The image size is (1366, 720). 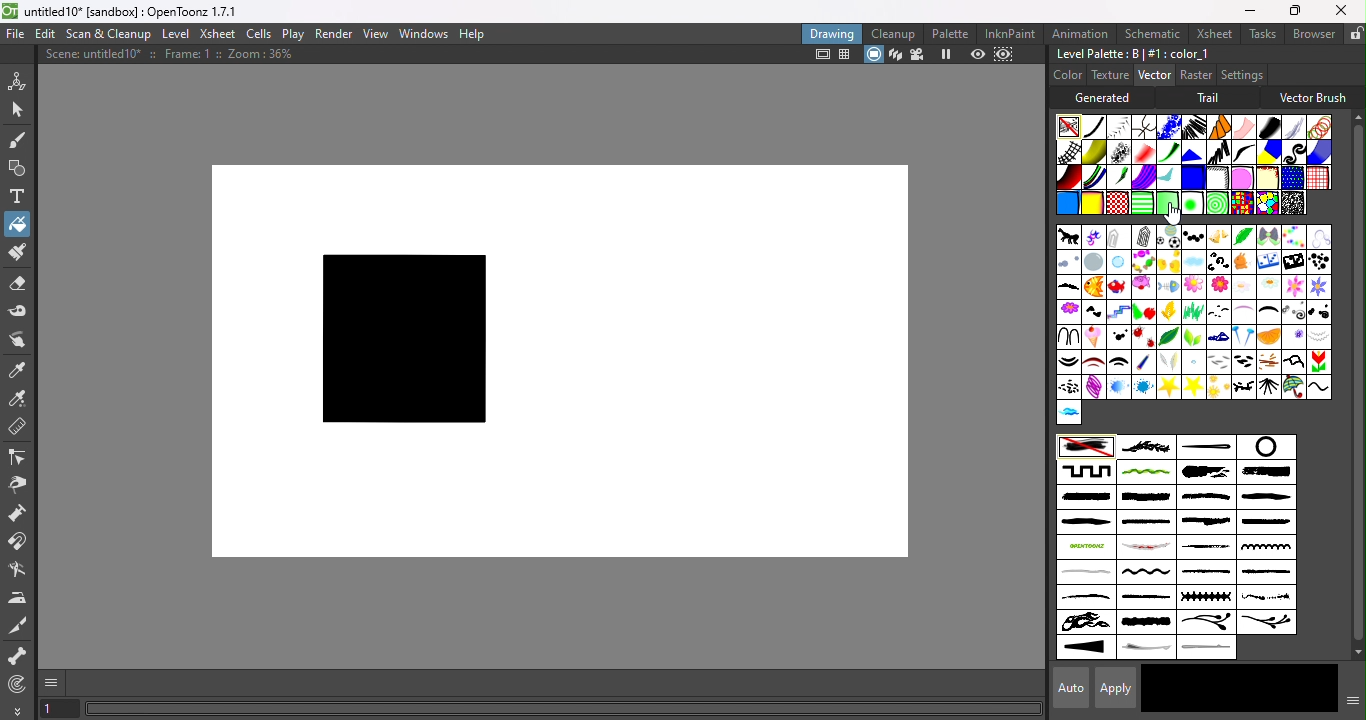 I want to click on Show or hide parts of the color page, so click(x=1349, y=699).